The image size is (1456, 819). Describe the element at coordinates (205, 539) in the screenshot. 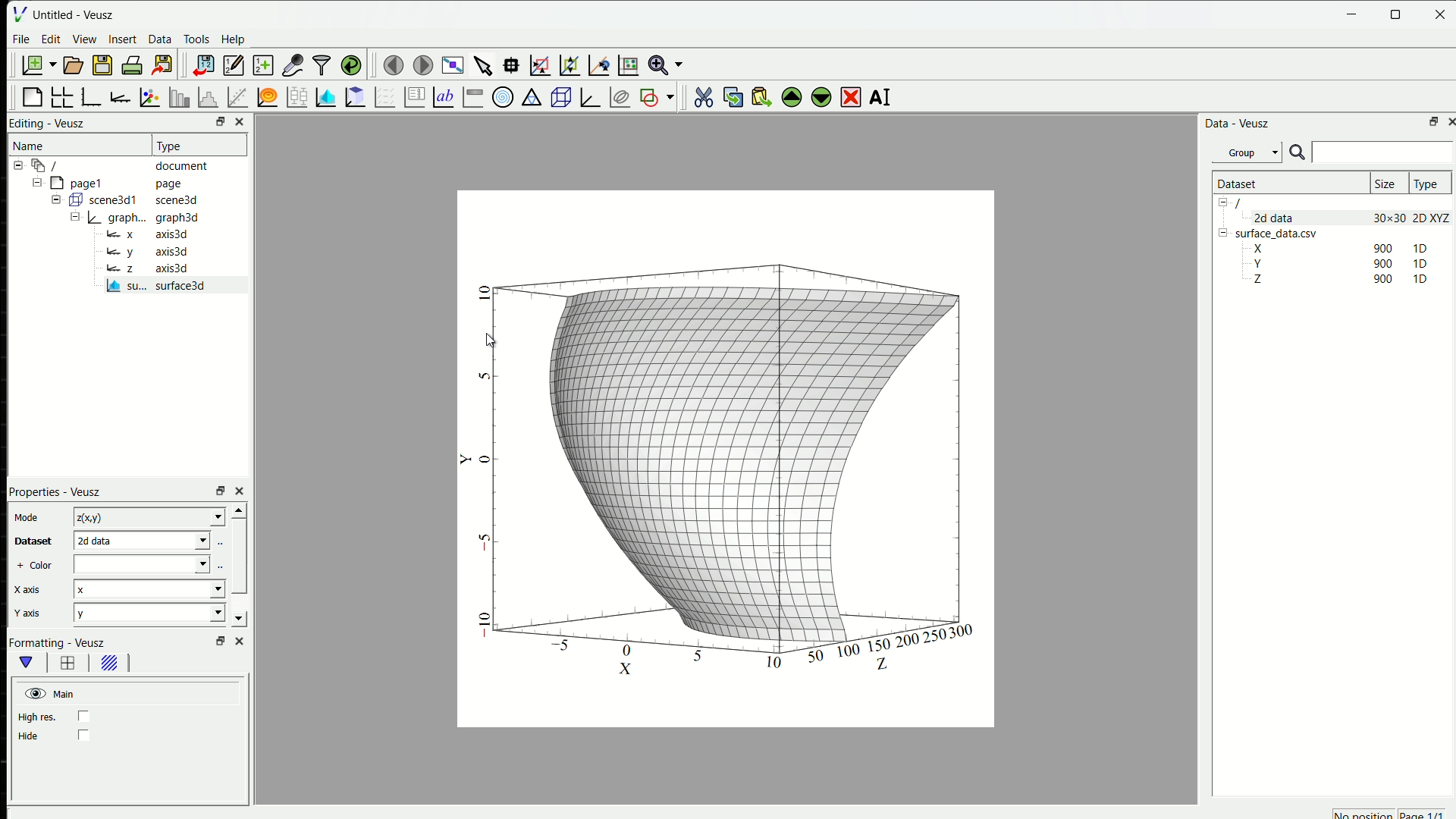

I see `Drop-down ` at that location.